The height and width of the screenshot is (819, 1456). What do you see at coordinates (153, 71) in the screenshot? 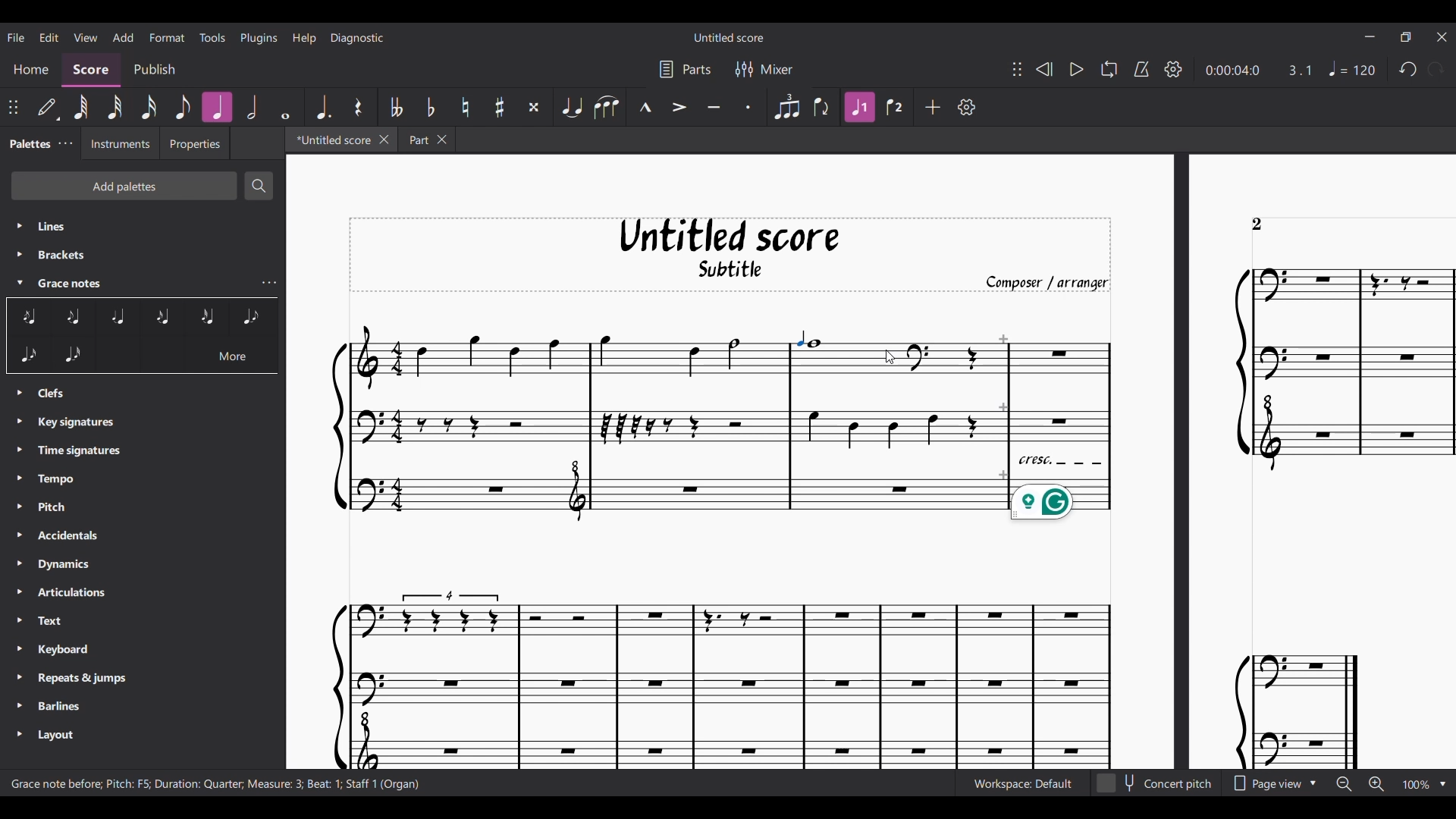
I see `Publish section` at bounding box center [153, 71].